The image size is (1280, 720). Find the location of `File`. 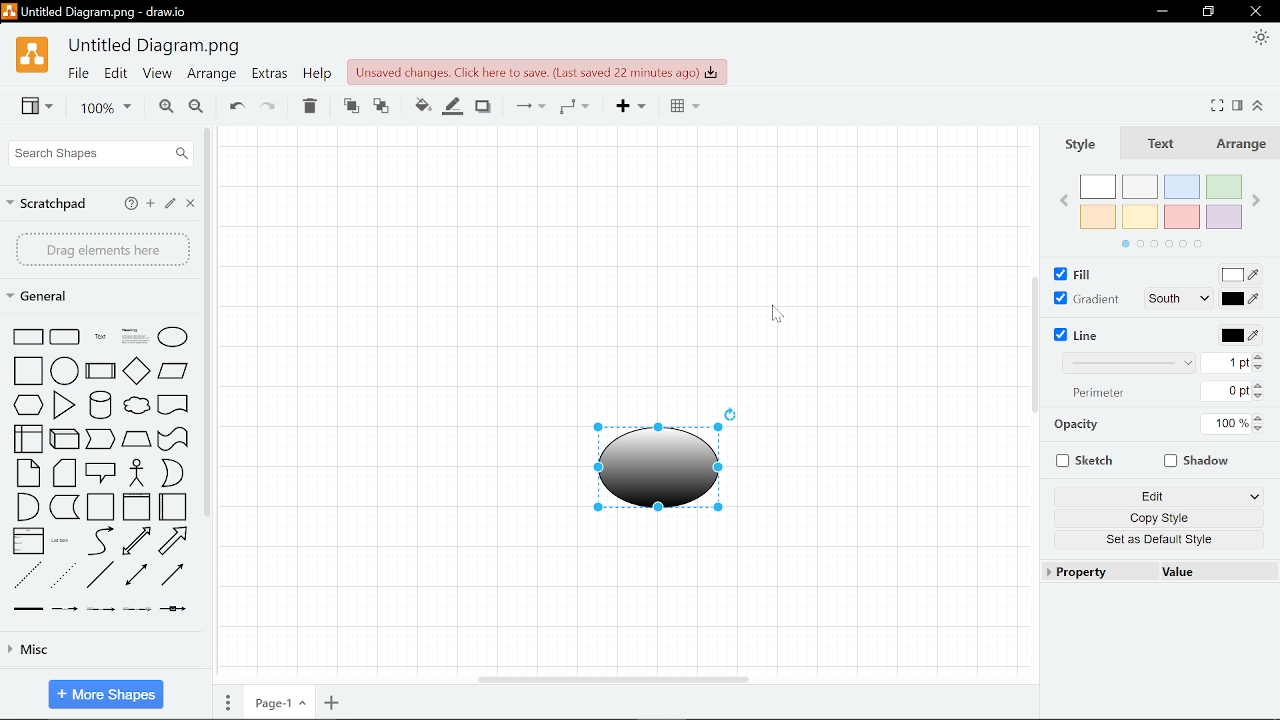

File is located at coordinates (76, 73).